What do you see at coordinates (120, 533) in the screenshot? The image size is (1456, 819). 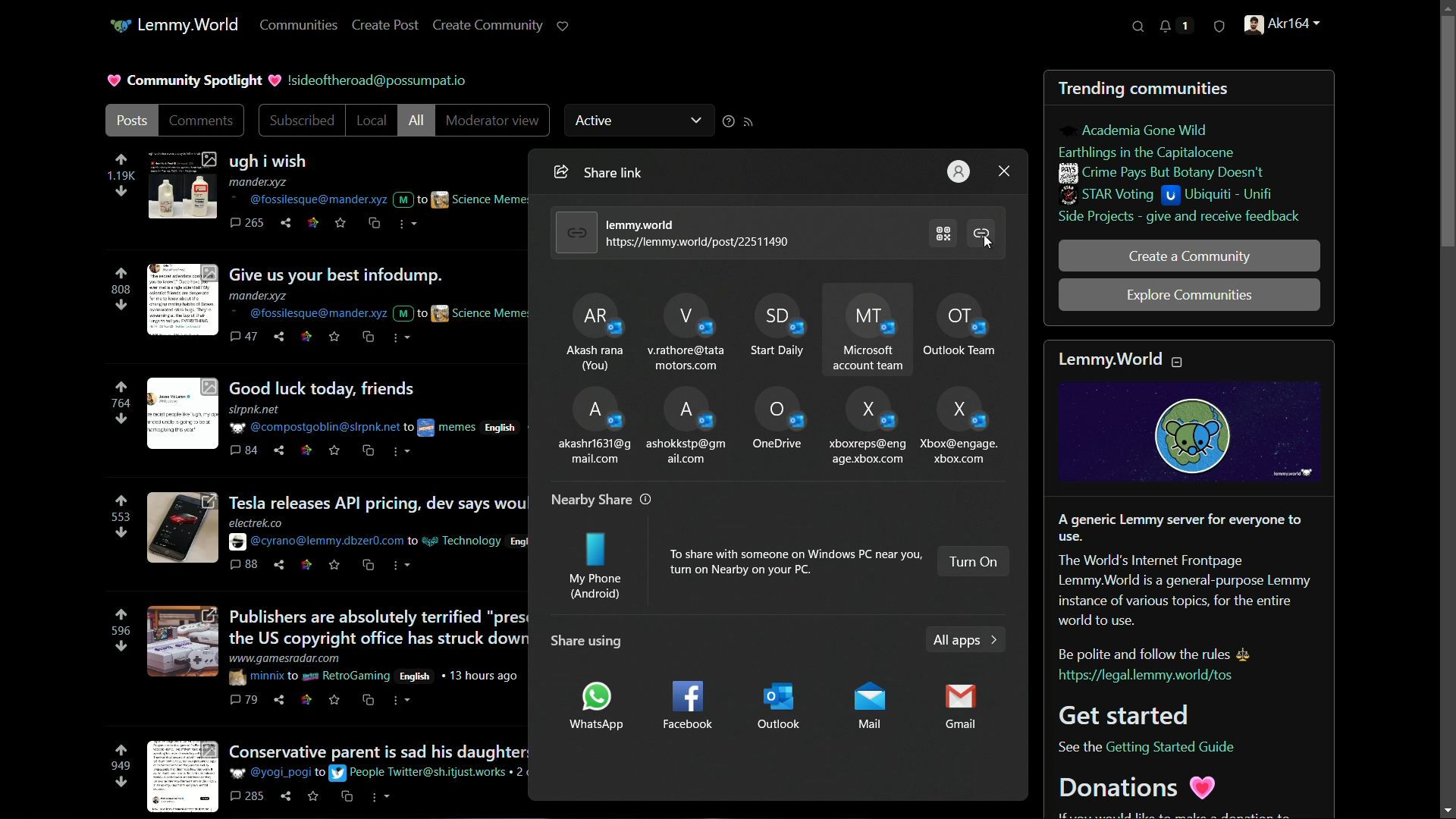 I see `downvote` at bounding box center [120, 533].